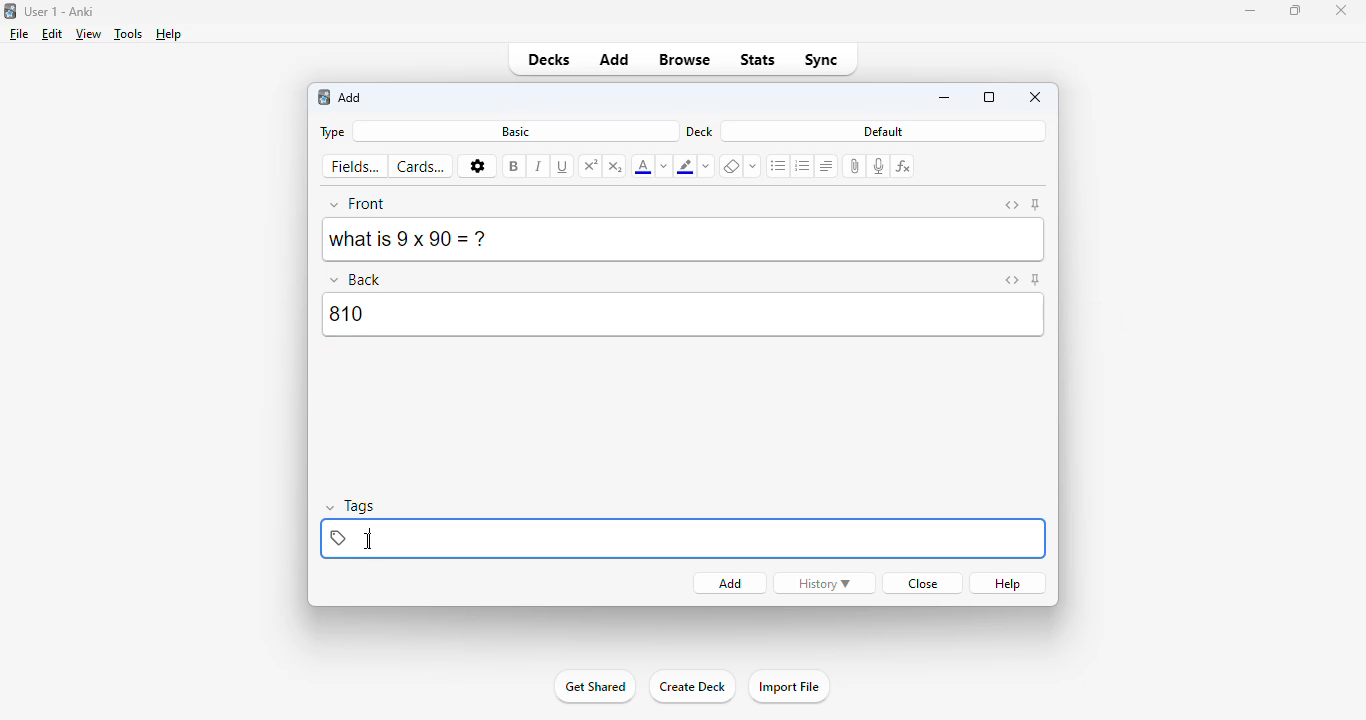 This screenshot has height=720, width=1366. Describe the element at coordinates (708, 166) in the screenshot. I see `change color` at that location.